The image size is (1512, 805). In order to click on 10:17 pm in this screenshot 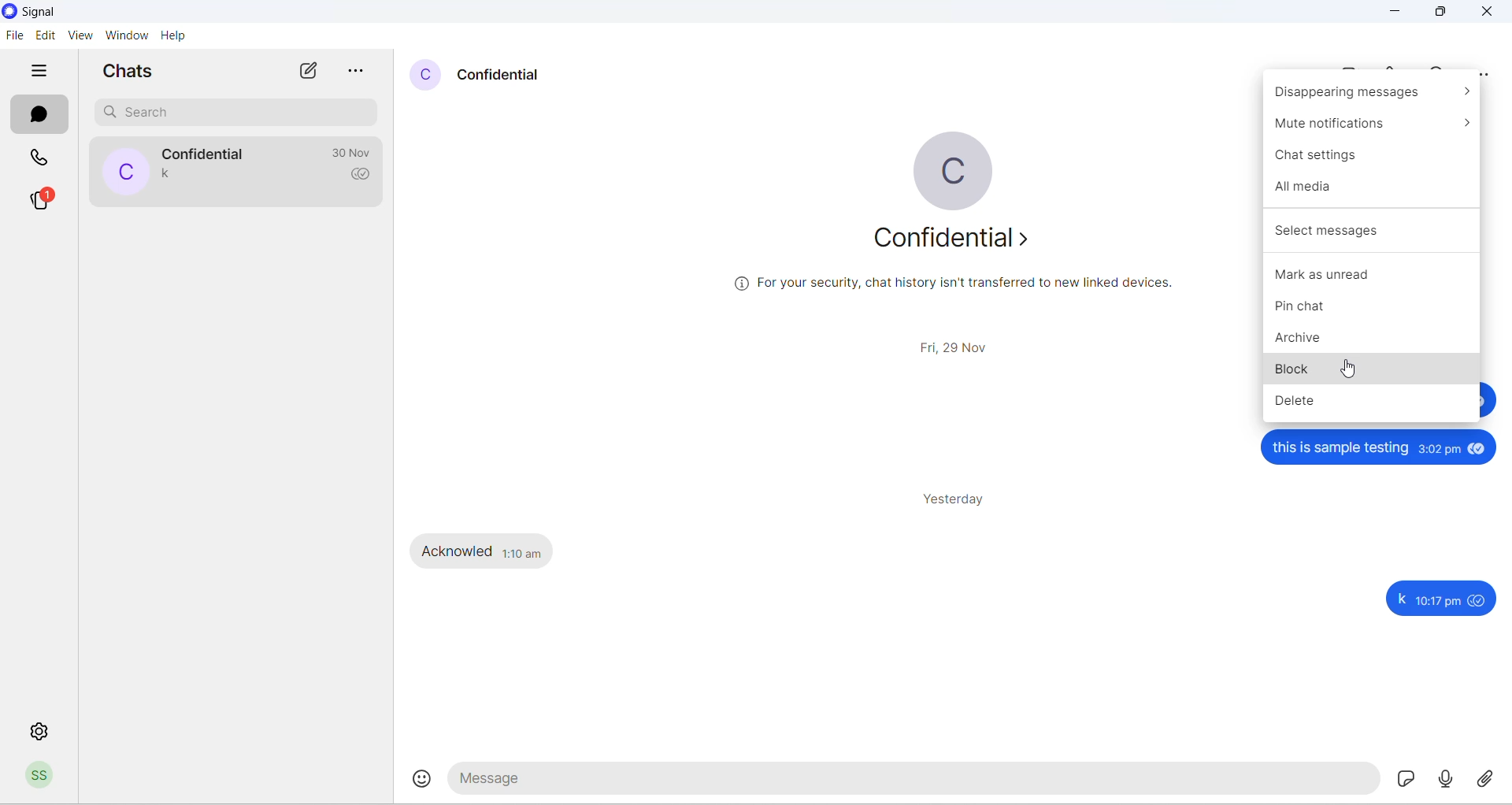, I will do `click(1441, 599)`.